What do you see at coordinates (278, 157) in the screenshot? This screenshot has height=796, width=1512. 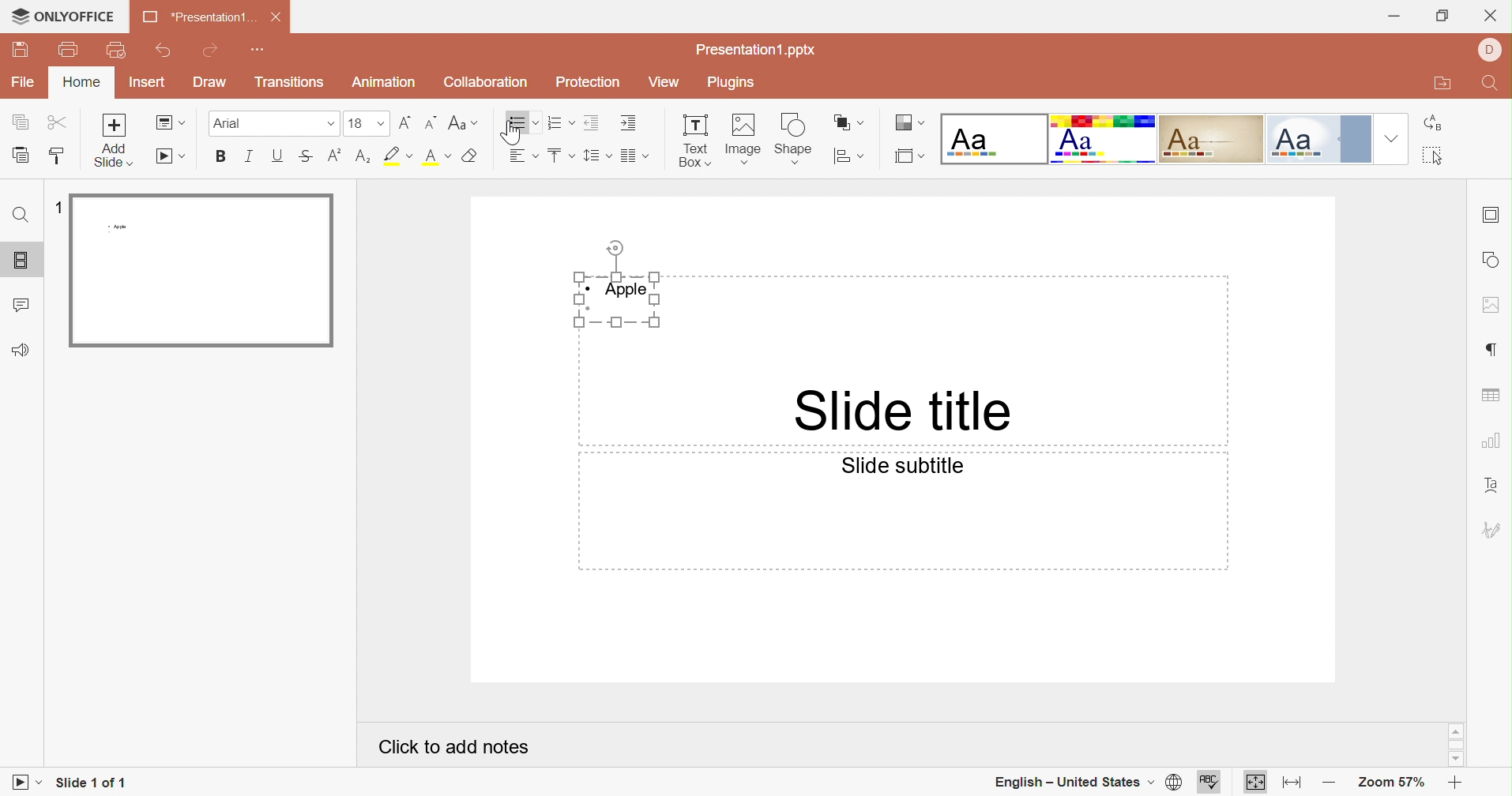 I see `Underline` at bounding box center [278, 157].